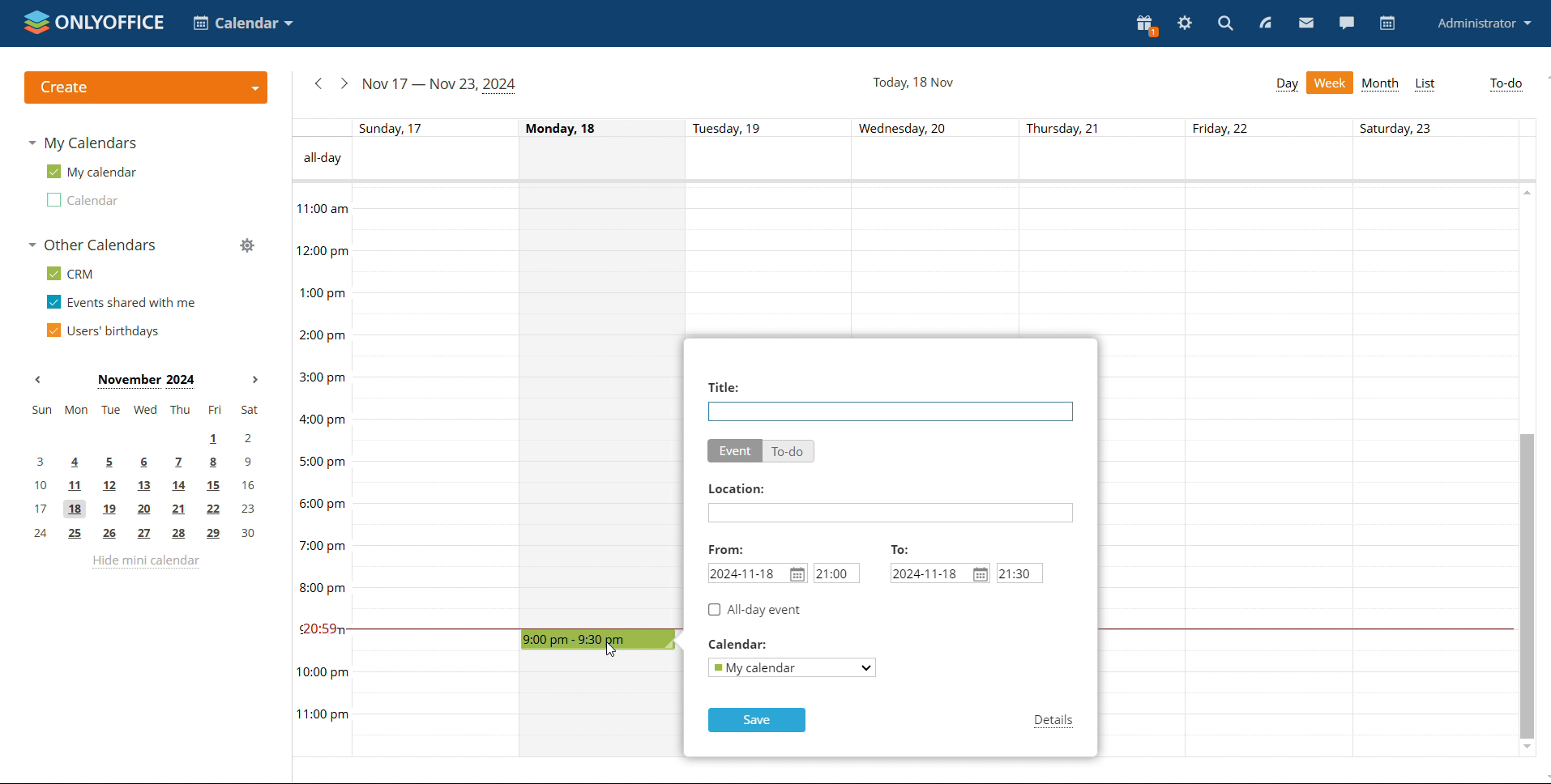  Describe the element at coordinates (1523, 586) in the screenshot. I see `scrollbar` at that location.